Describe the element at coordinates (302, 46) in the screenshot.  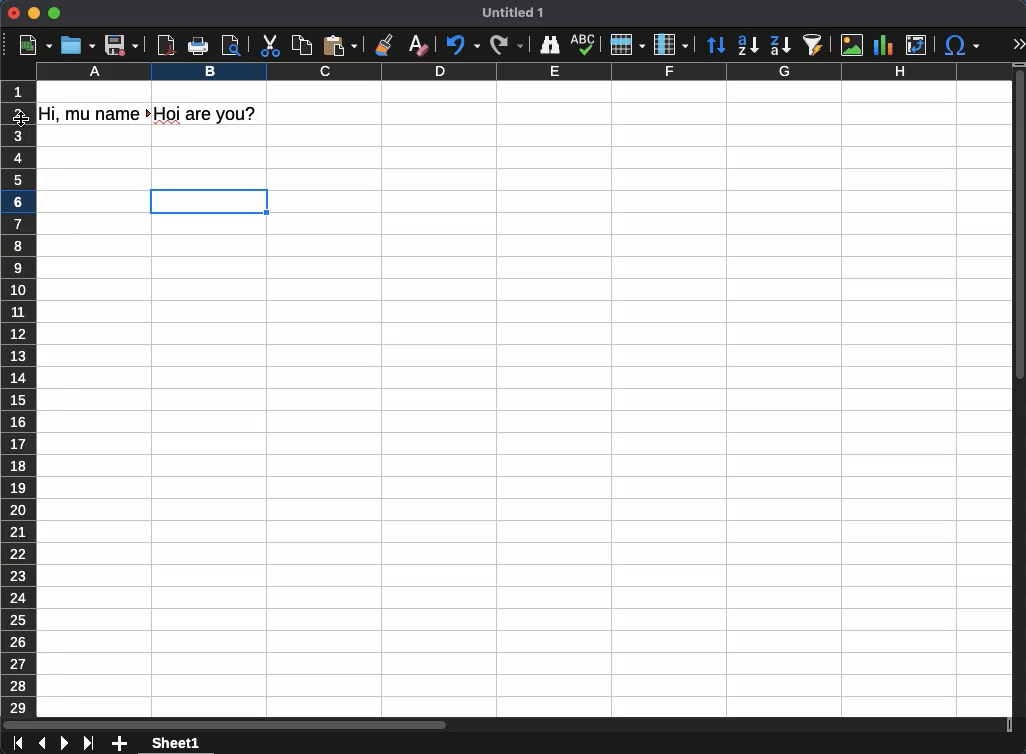
I see `copy` at that location.